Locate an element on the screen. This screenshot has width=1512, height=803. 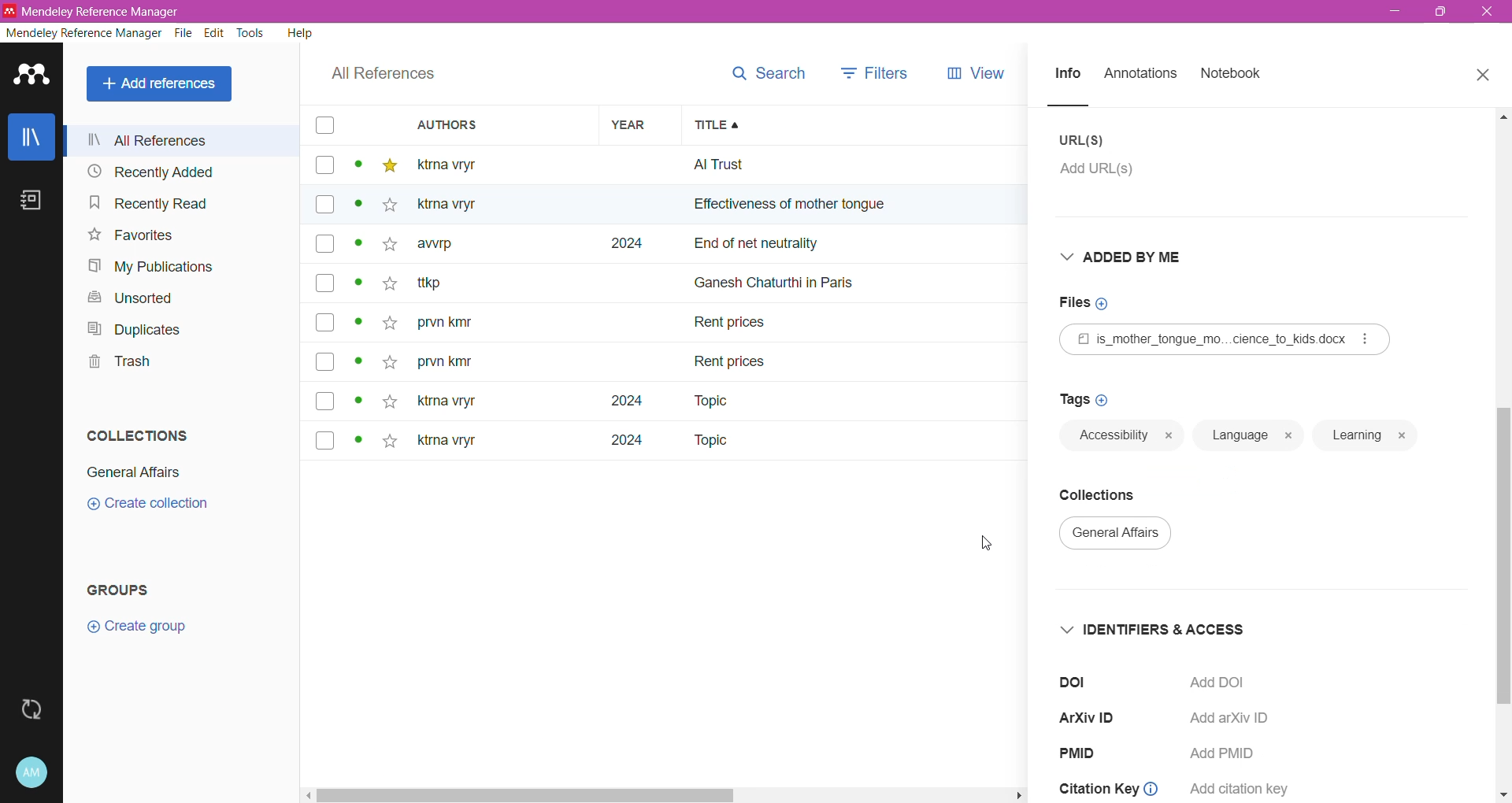
~ ttkp is located at coordinates (455, 283).